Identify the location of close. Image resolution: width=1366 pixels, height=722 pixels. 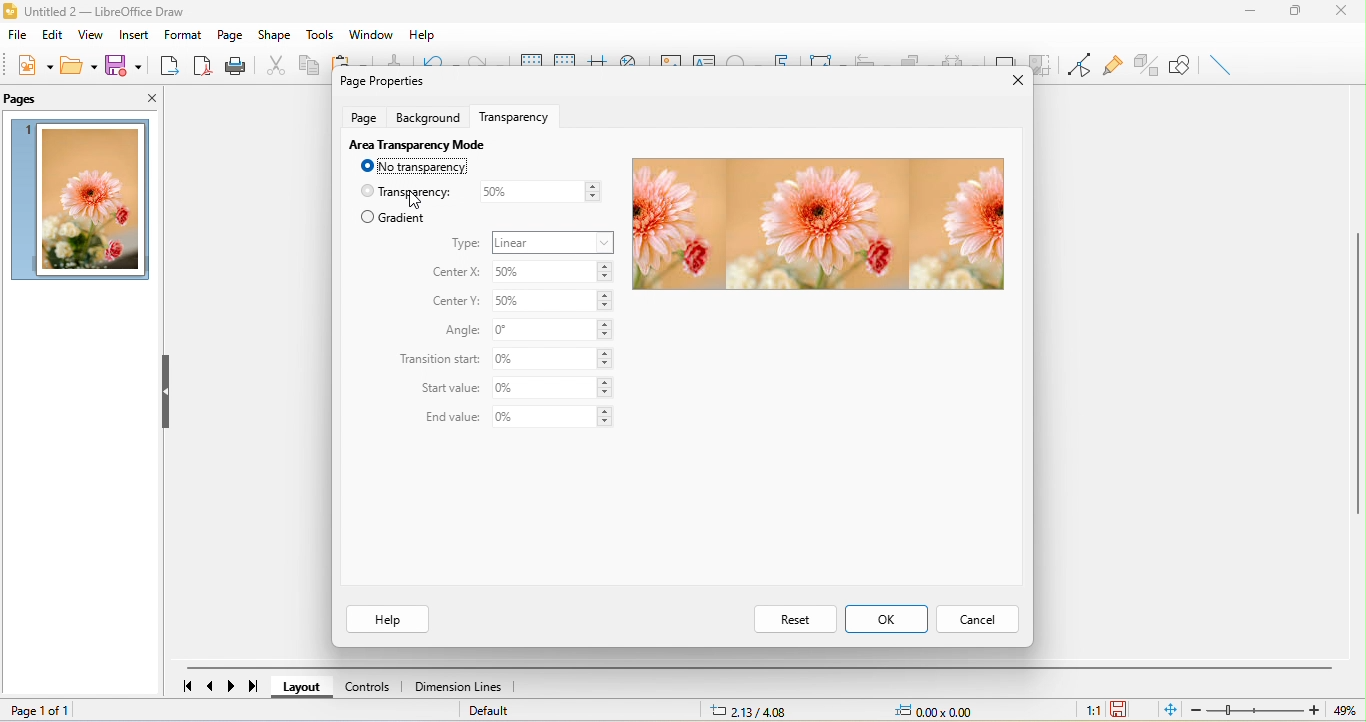
(138, 96).